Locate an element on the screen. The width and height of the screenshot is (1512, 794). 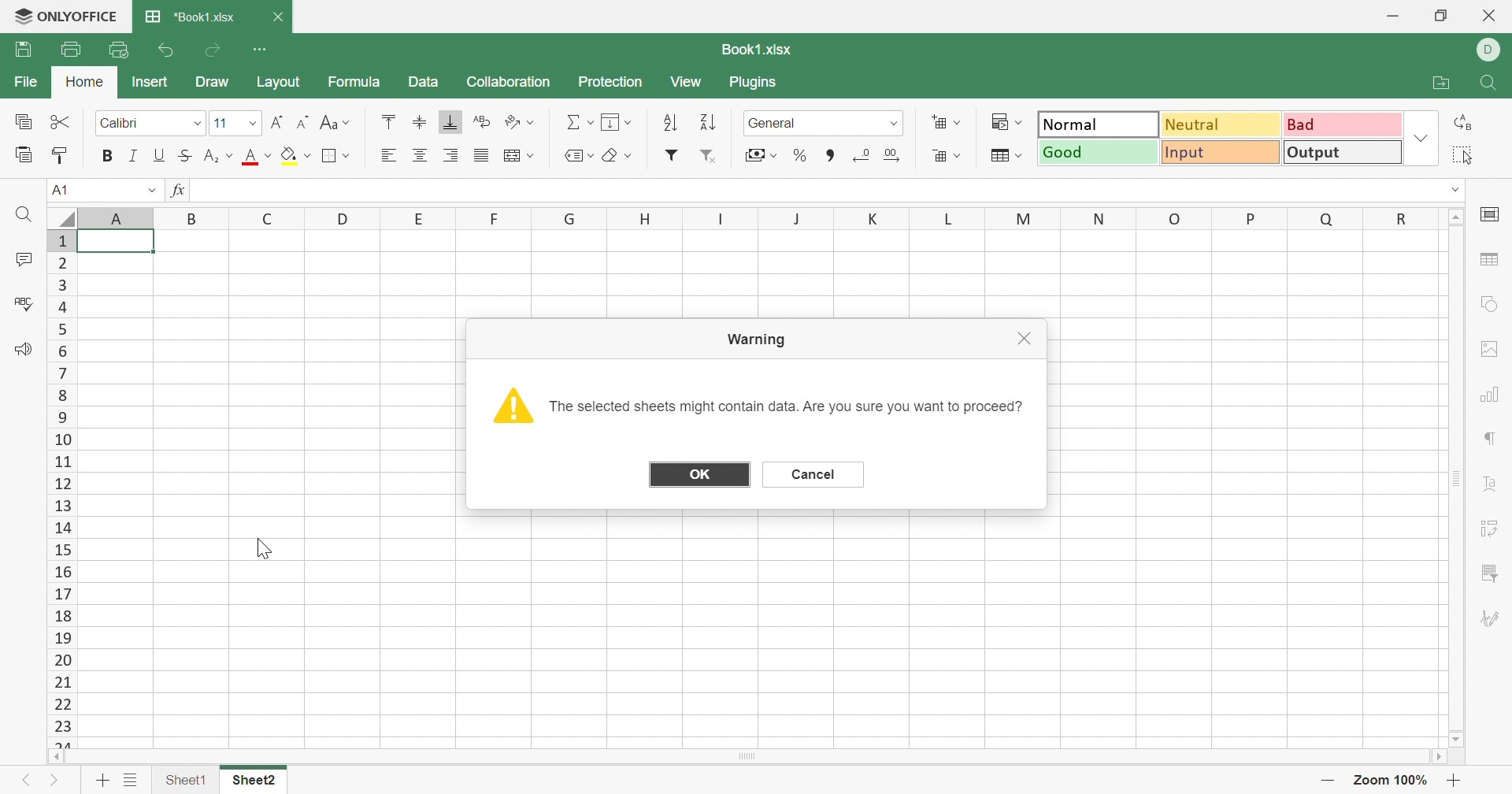
Scroll Down is located at coordinates (1458, 740).